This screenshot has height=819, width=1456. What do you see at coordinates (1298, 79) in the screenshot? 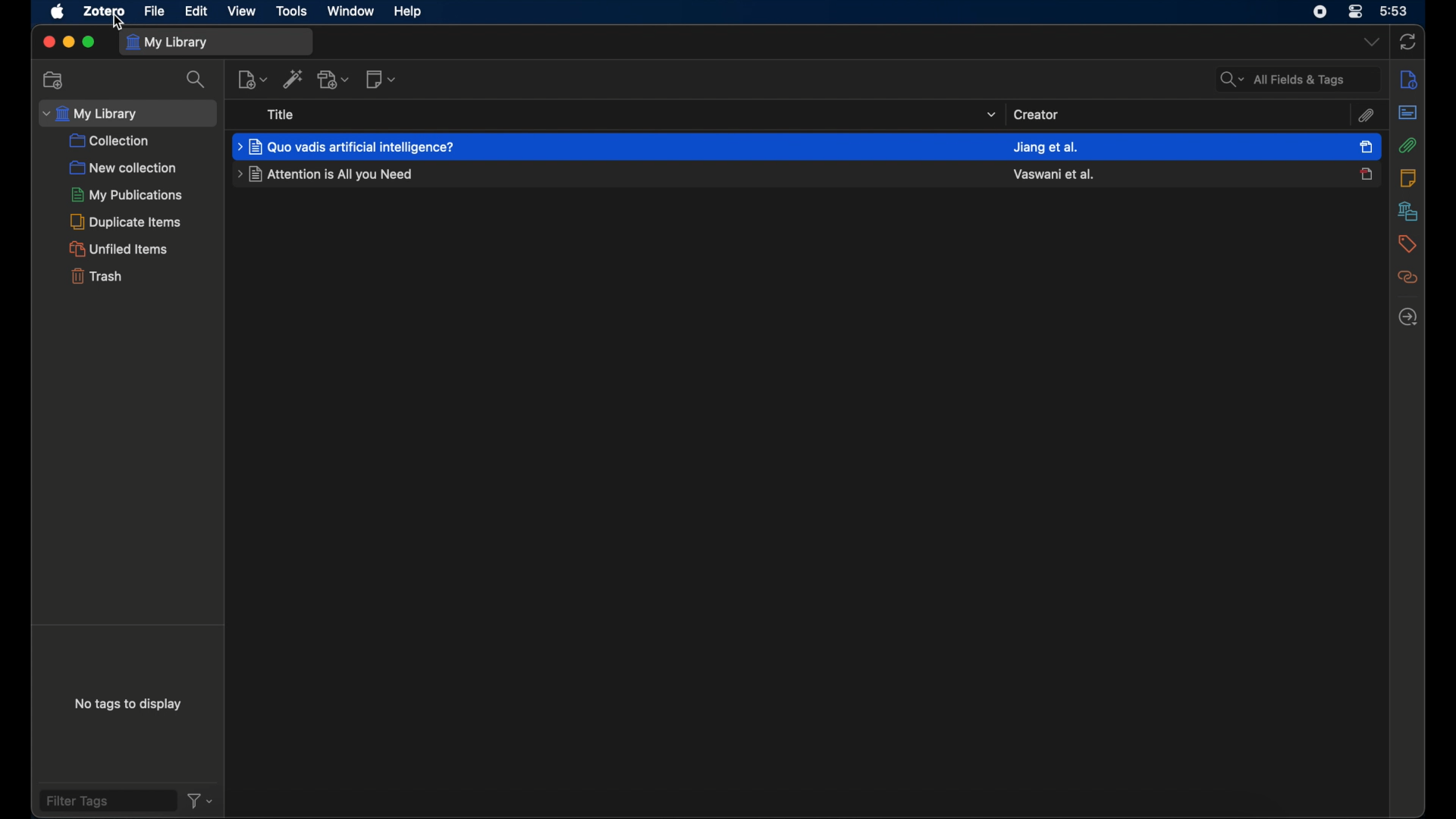
I see `search fields and tags` at bounding box center [1298, 79].